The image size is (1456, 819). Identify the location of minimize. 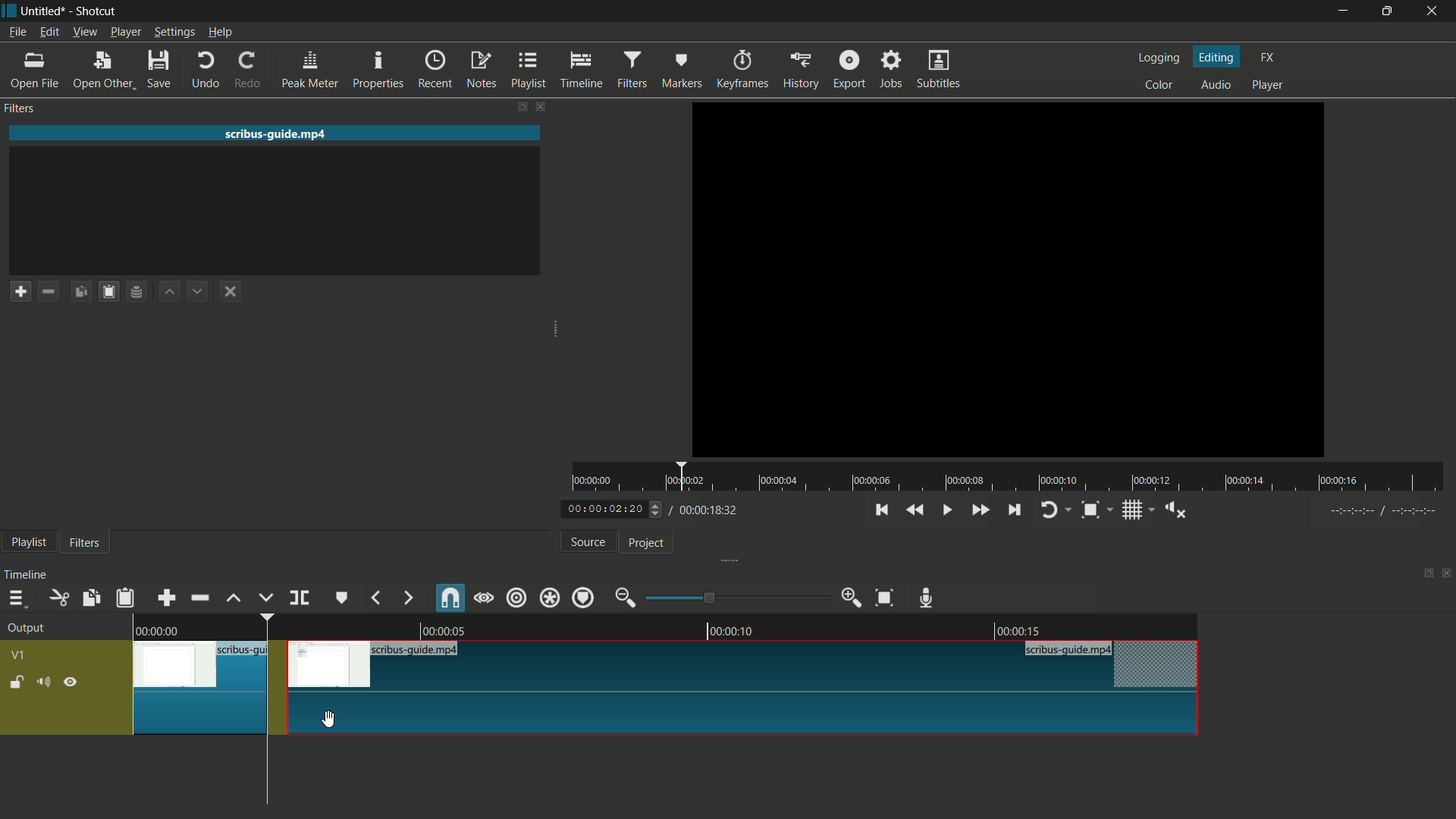
(1344, 11).